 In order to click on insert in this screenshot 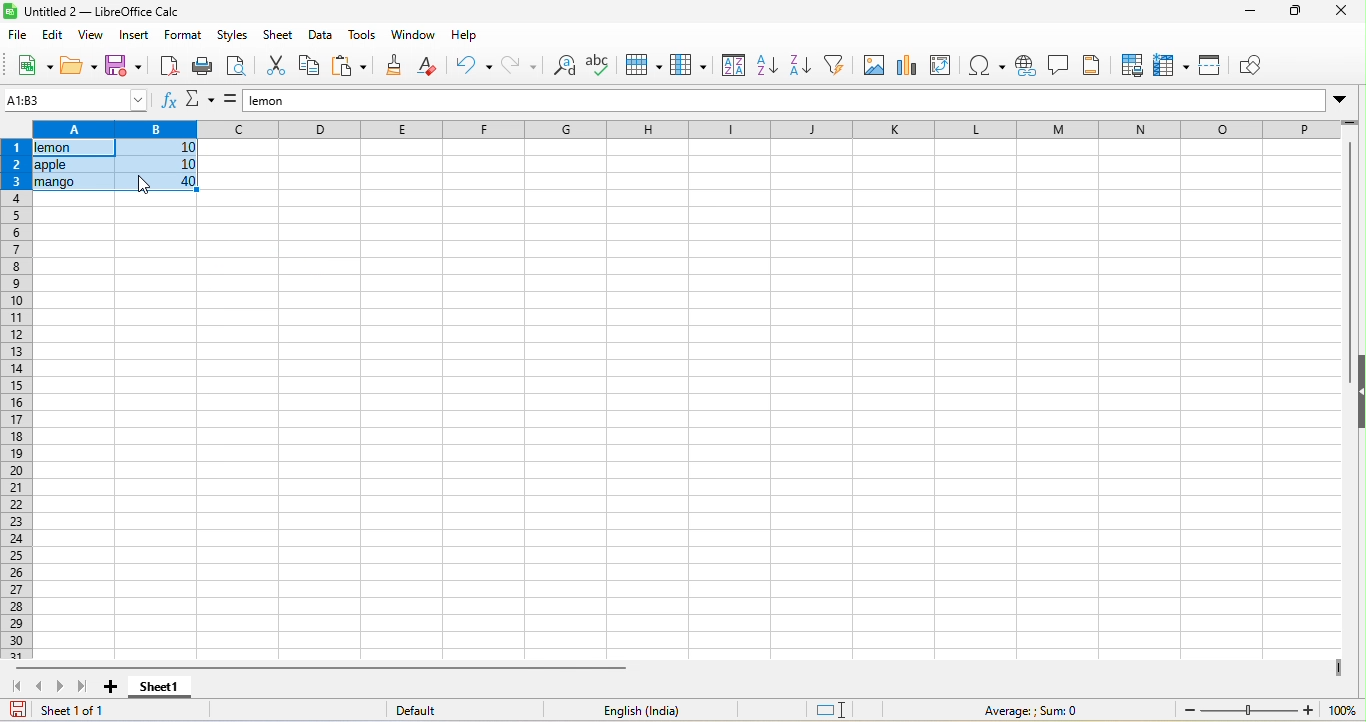, I will do `click(138, 37)`.